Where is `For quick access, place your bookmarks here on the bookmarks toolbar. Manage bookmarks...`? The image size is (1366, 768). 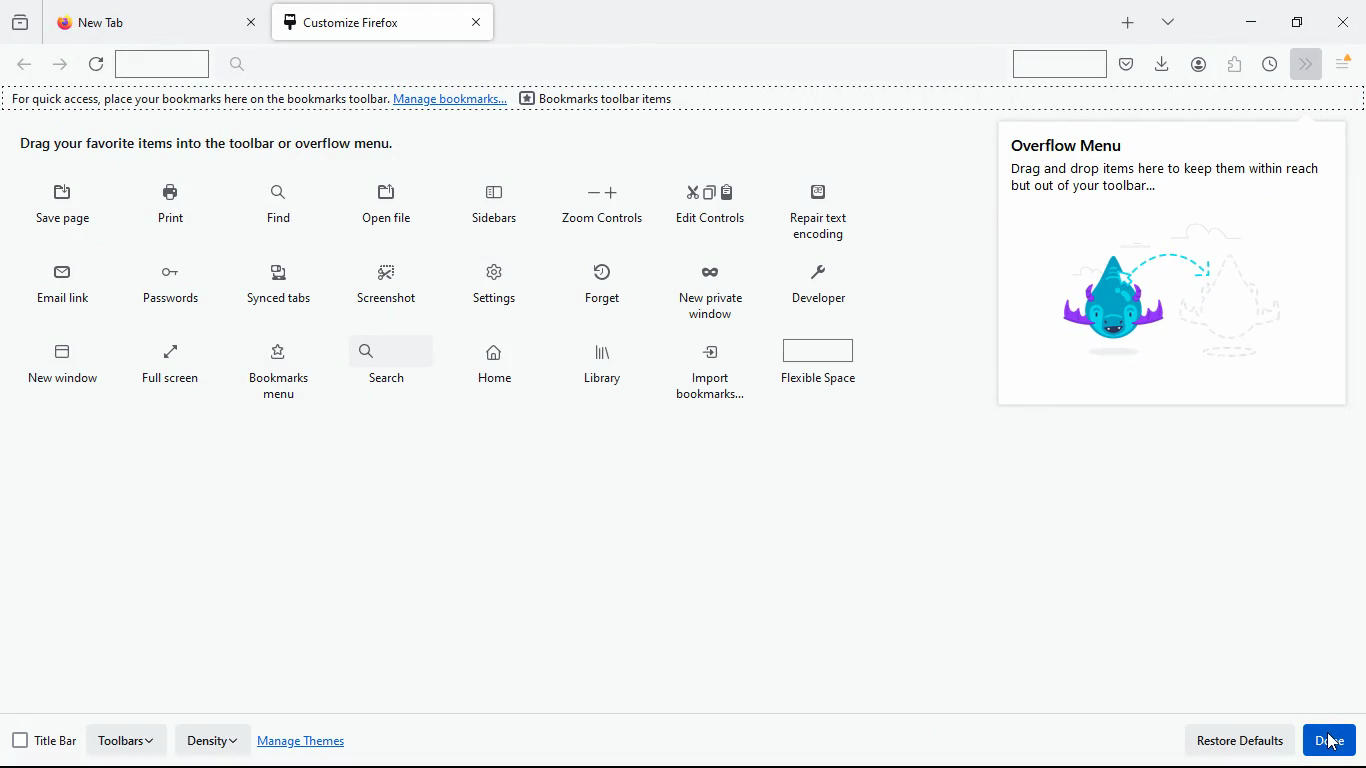 For quick access, place your bookmarks here on the bookmarks toolbar. Manage bookmarks... is located at coordinates (256, 99).